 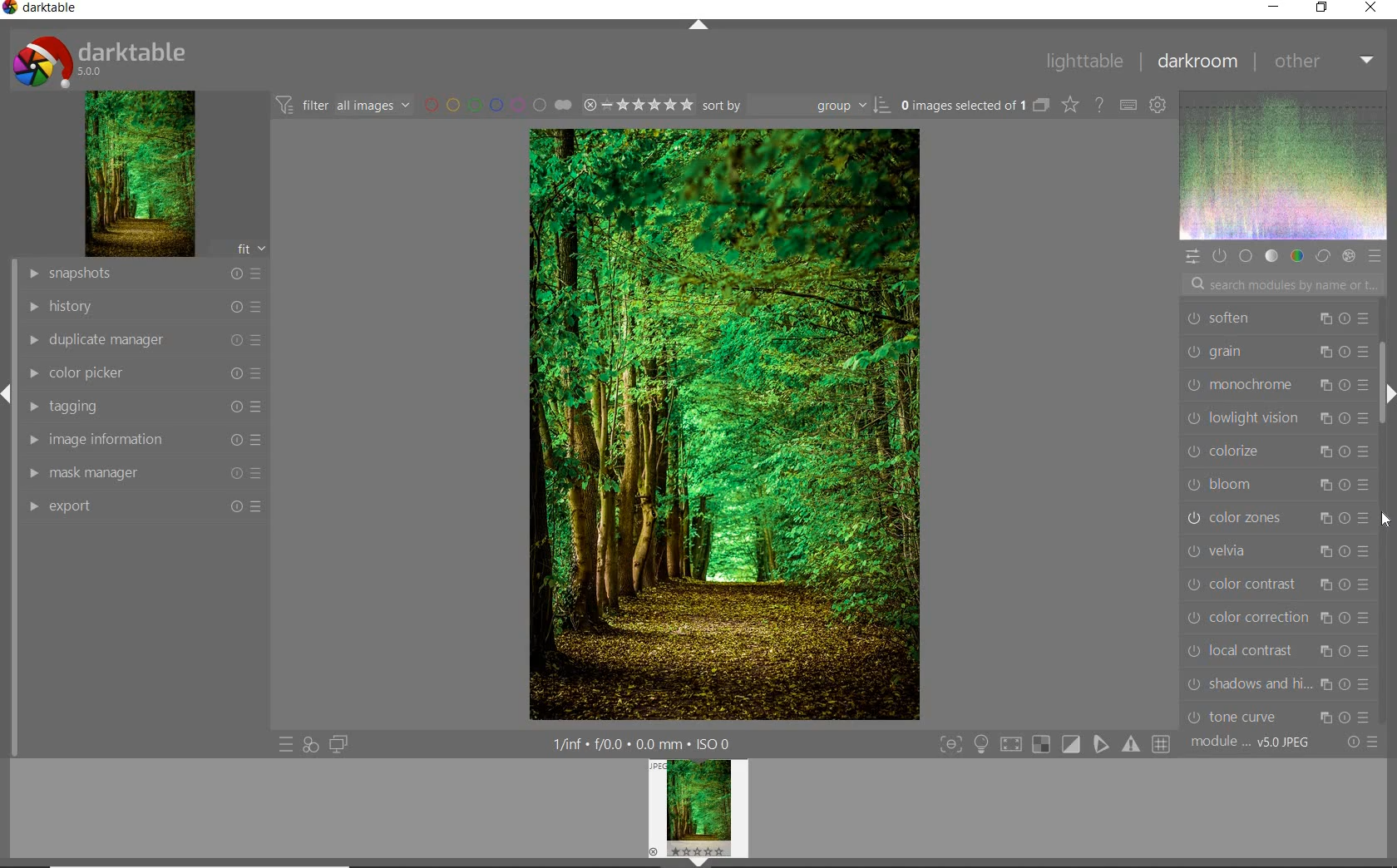 What do you see at coordinates (1054, 745) in the screenshot?
I see `TOGGLE MODES` at bounding box center [1054, 745].